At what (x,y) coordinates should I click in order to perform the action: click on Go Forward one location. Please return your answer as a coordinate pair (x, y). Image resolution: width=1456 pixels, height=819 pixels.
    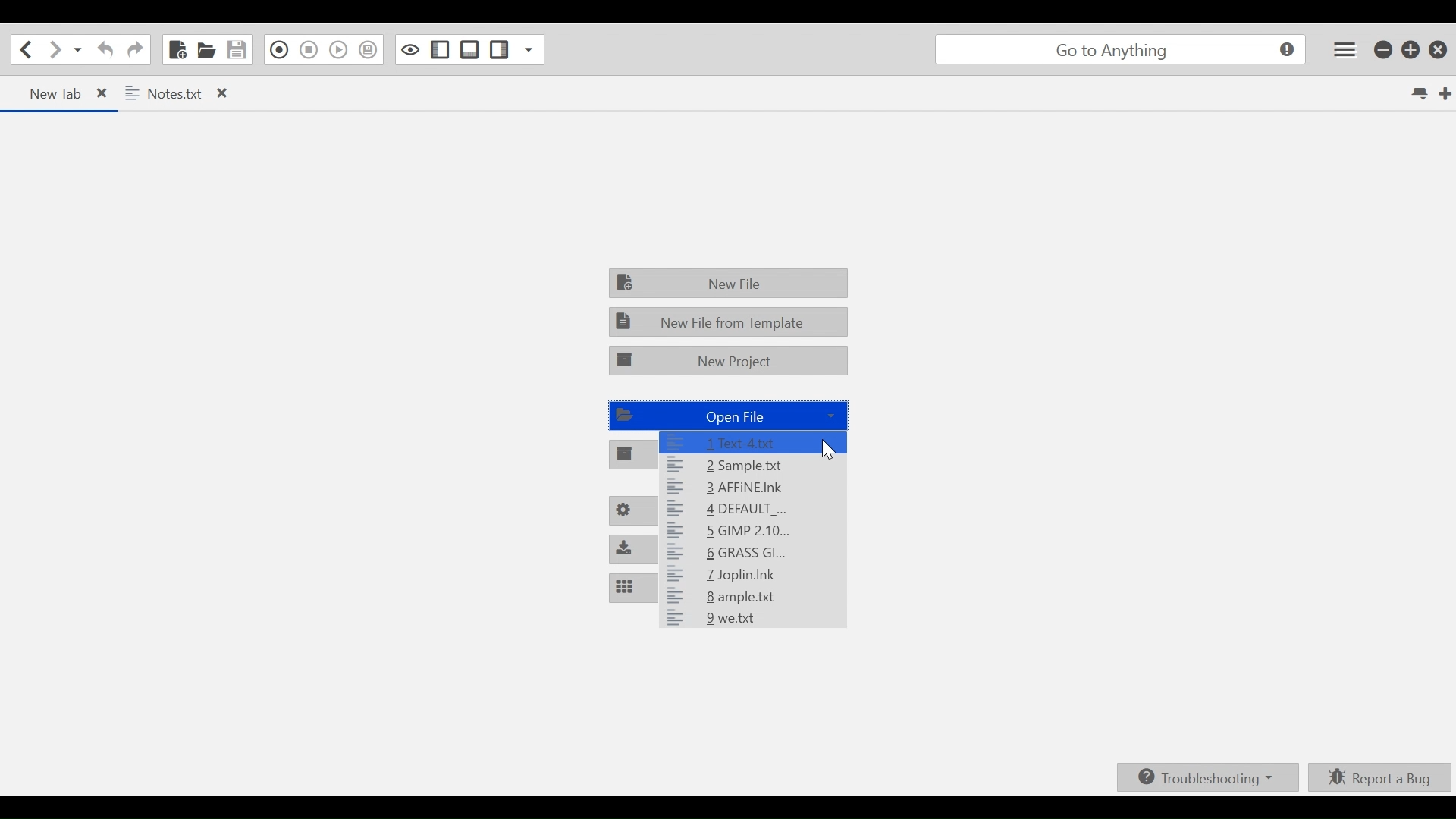
    Looking at the image, I should click on (54, 49).